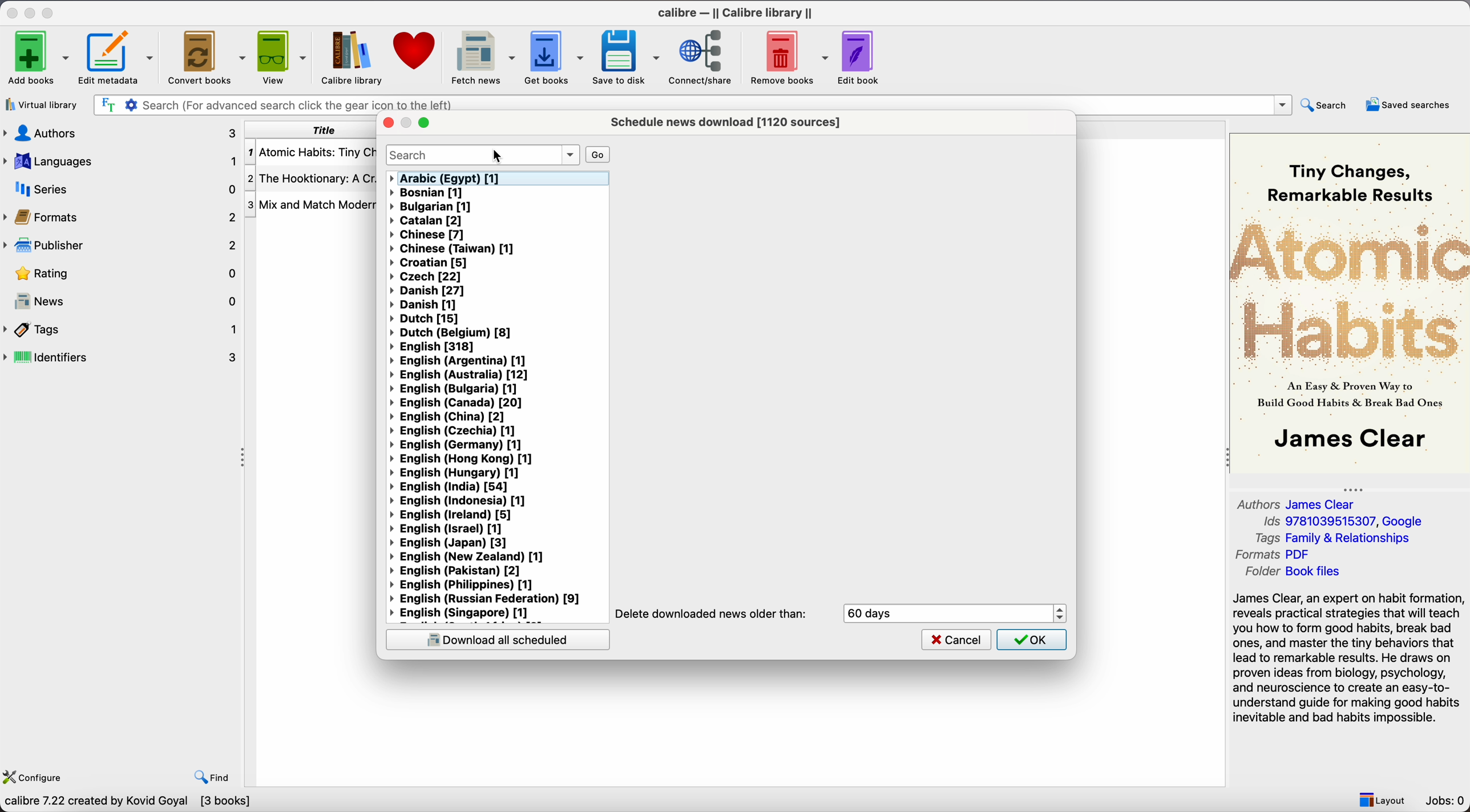  What do you see at coordinates (119, 245) in the screenshot?
I see `publisher` at bounding box center [119, 245].